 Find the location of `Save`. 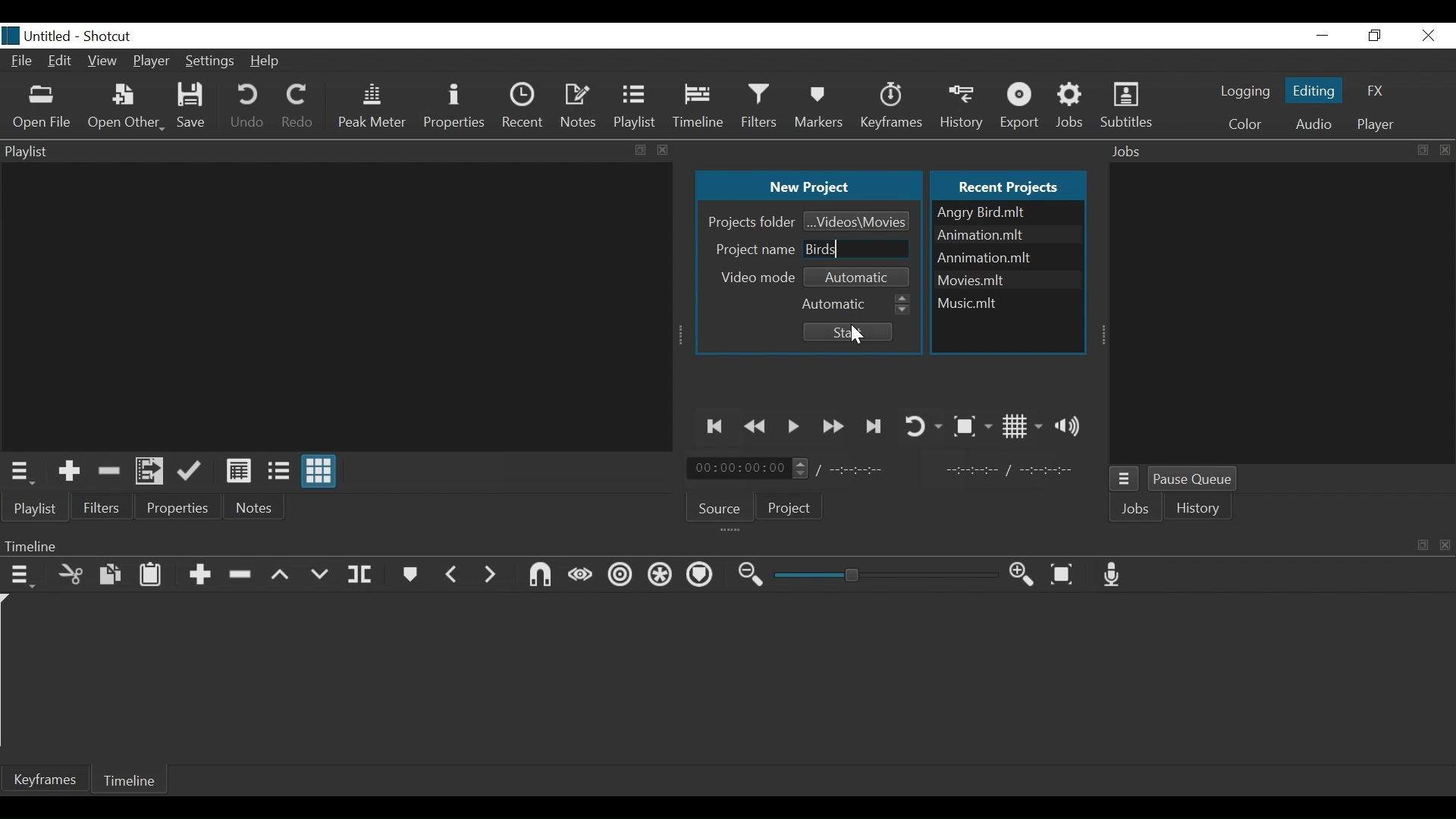

Save is located at coordinates (193, 107).